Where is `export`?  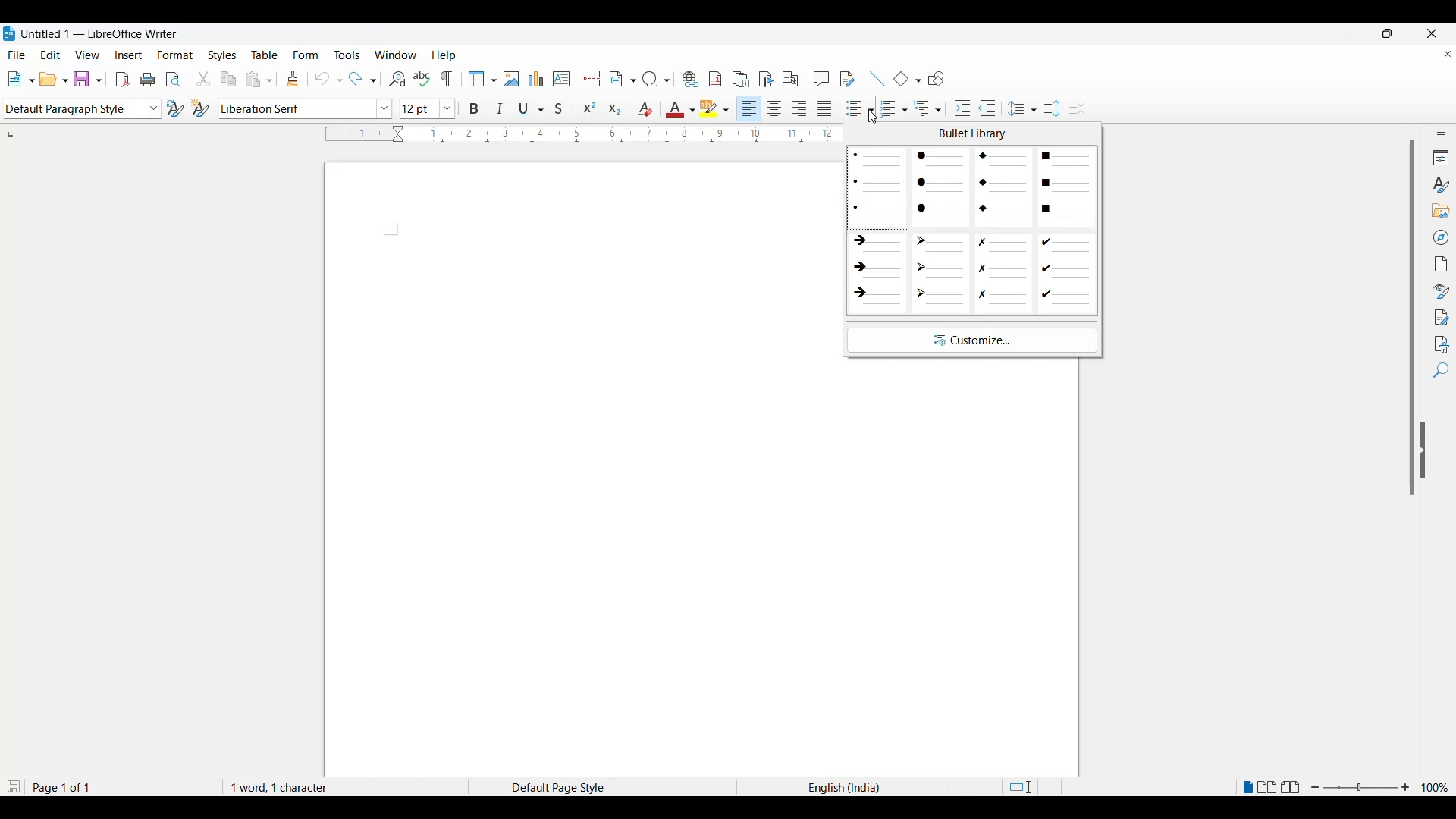
export is located at coordinates (124, 80).